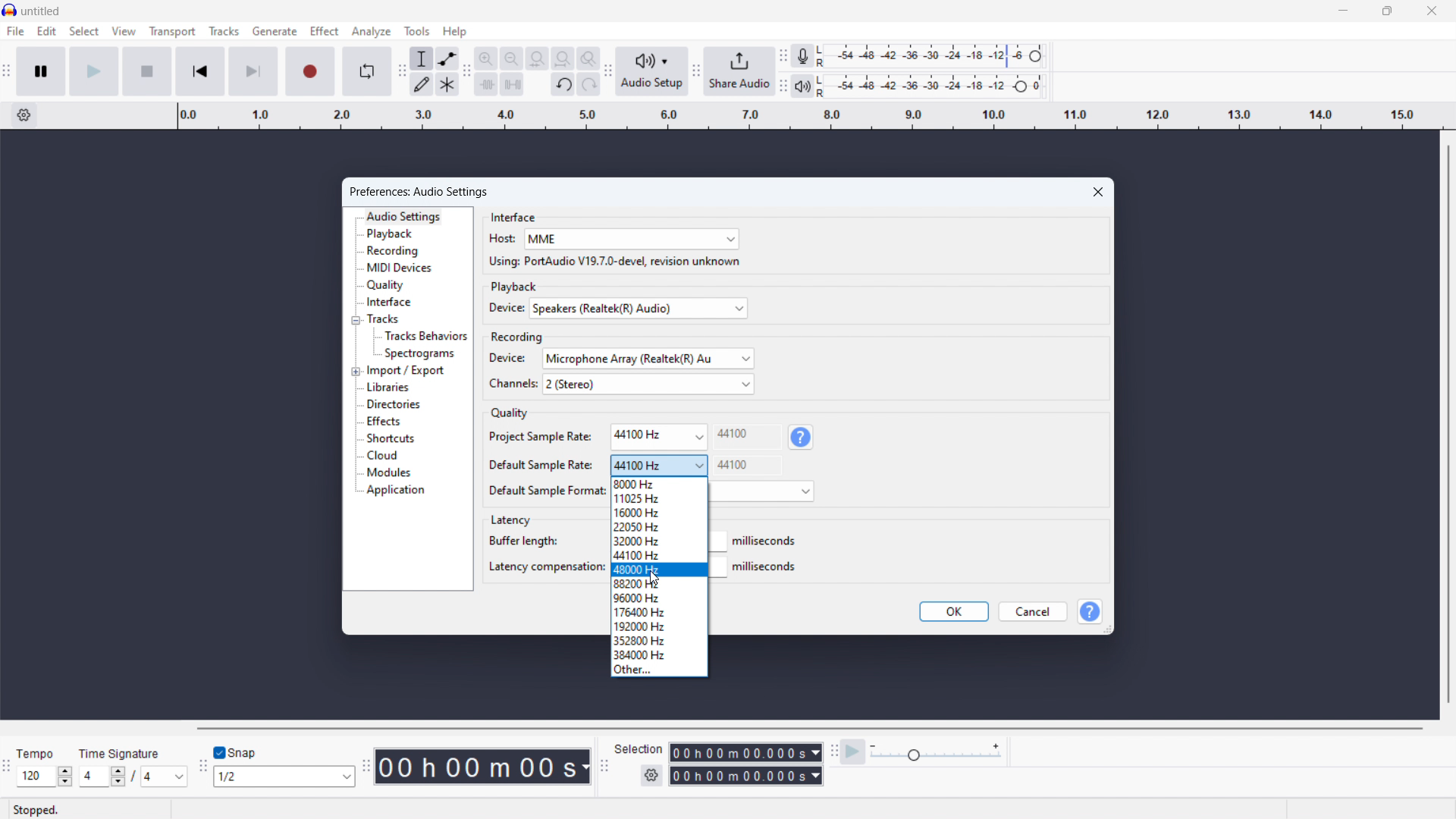  I want to click on analyze, so click(371, 31).